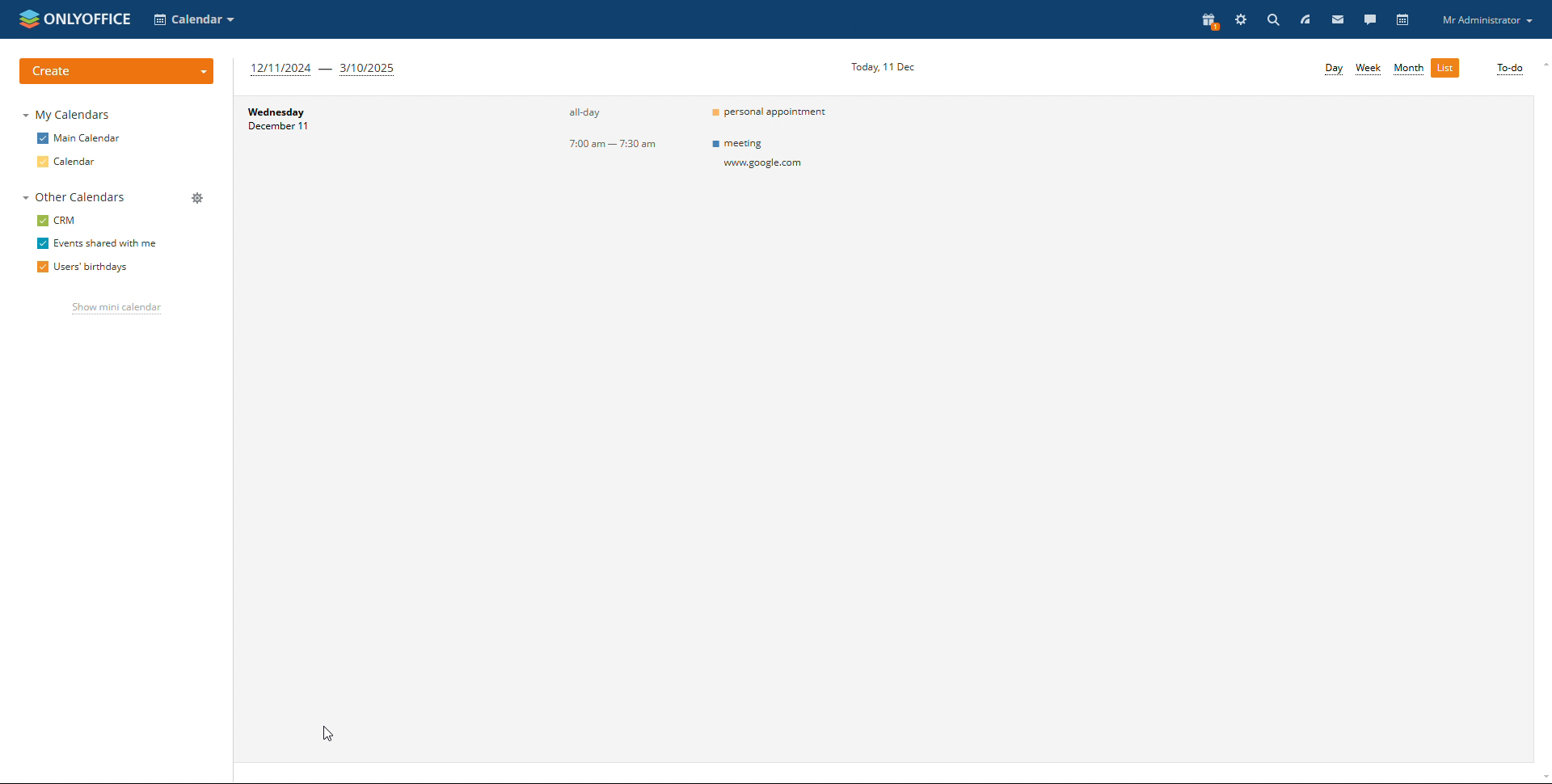 This screenshot has height=784, width=1552. I want to click on crm, so click(57, 221).